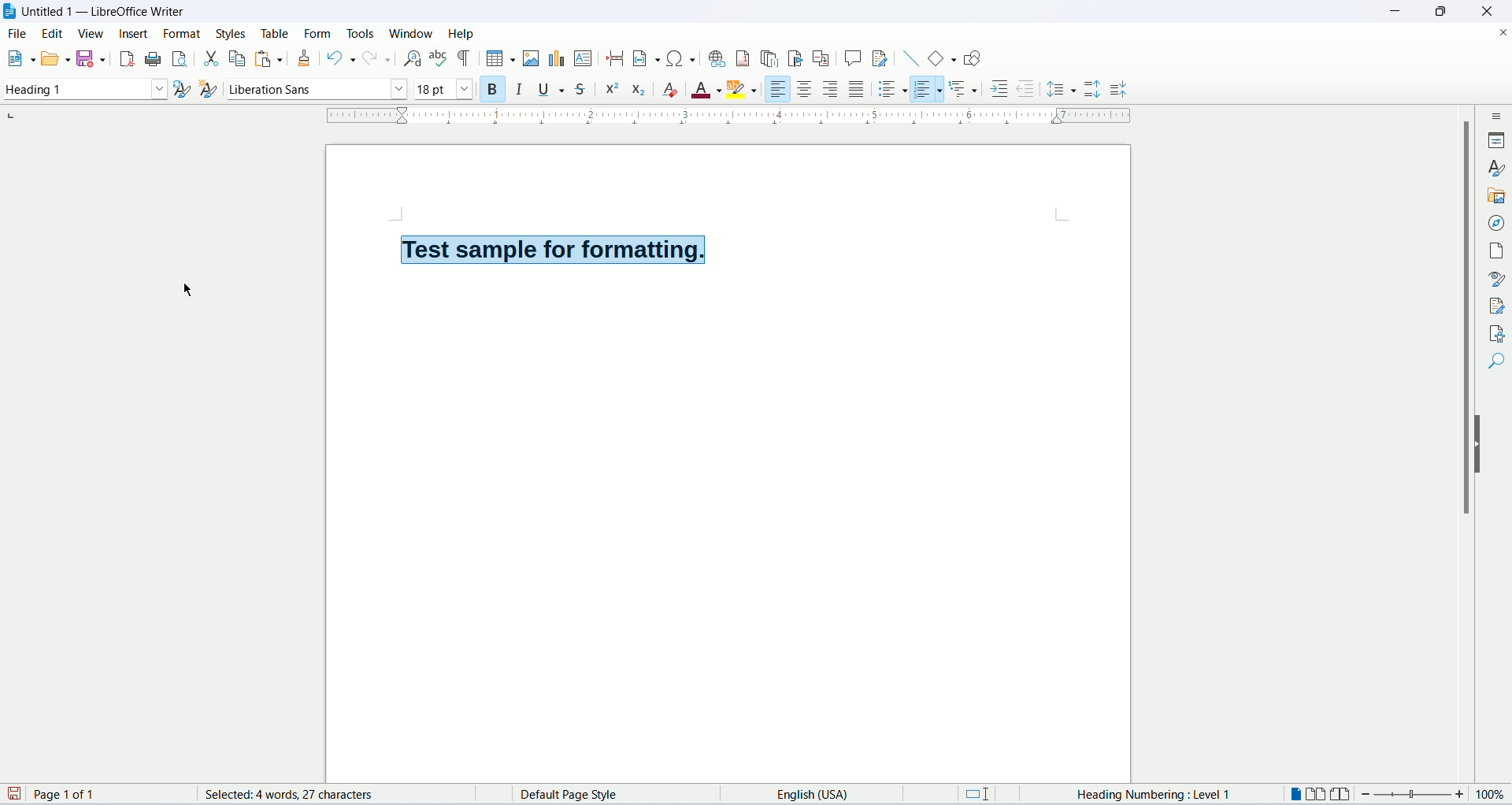 The width and height of the screenshot is (1512, 805). What do you see at coordinates (555, 59) in the screenshot?
I see `insert chart` at bounding box center [555, 59].